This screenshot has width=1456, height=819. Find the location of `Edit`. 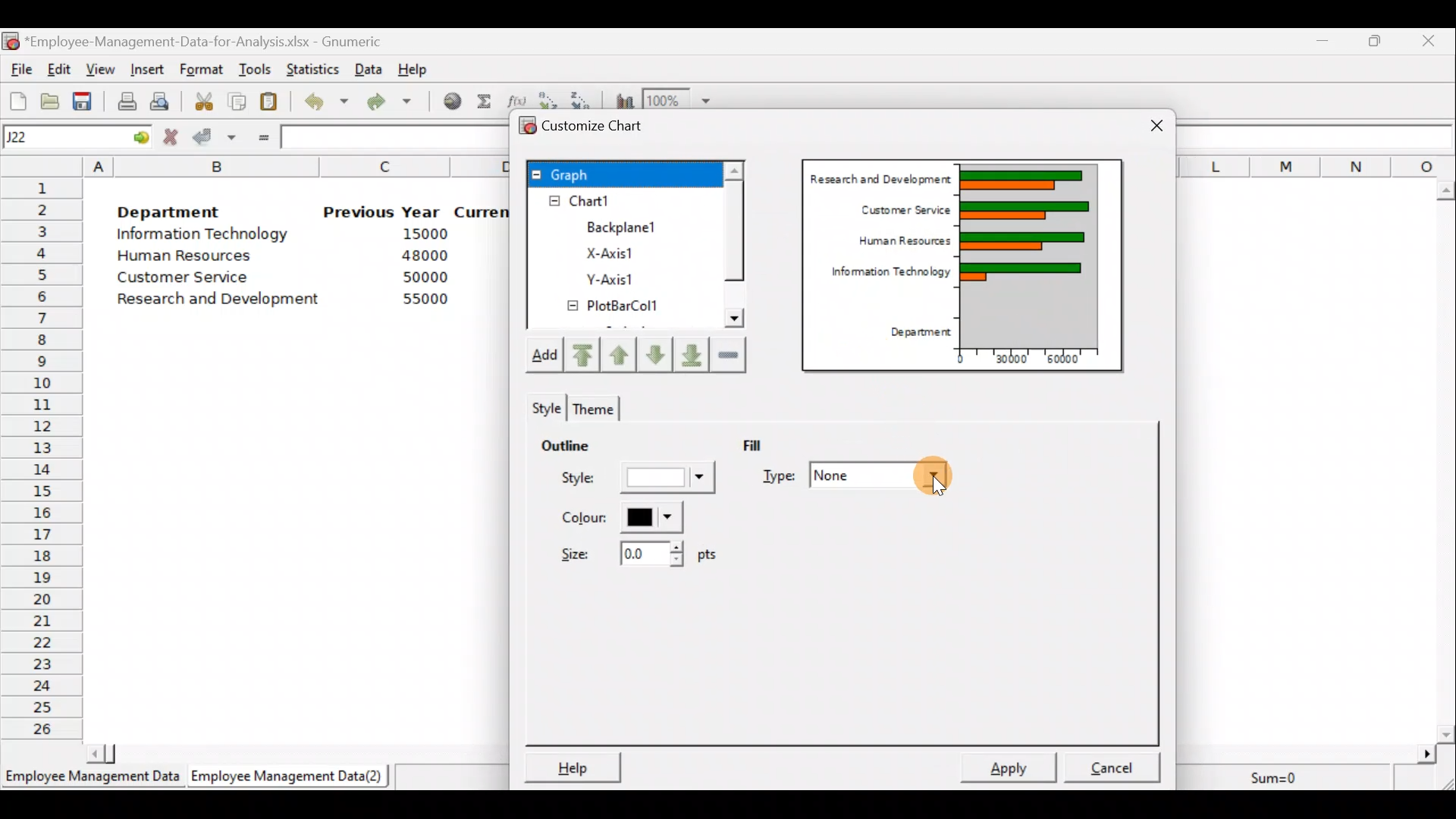

Edit is located at coordinates (61, 68).